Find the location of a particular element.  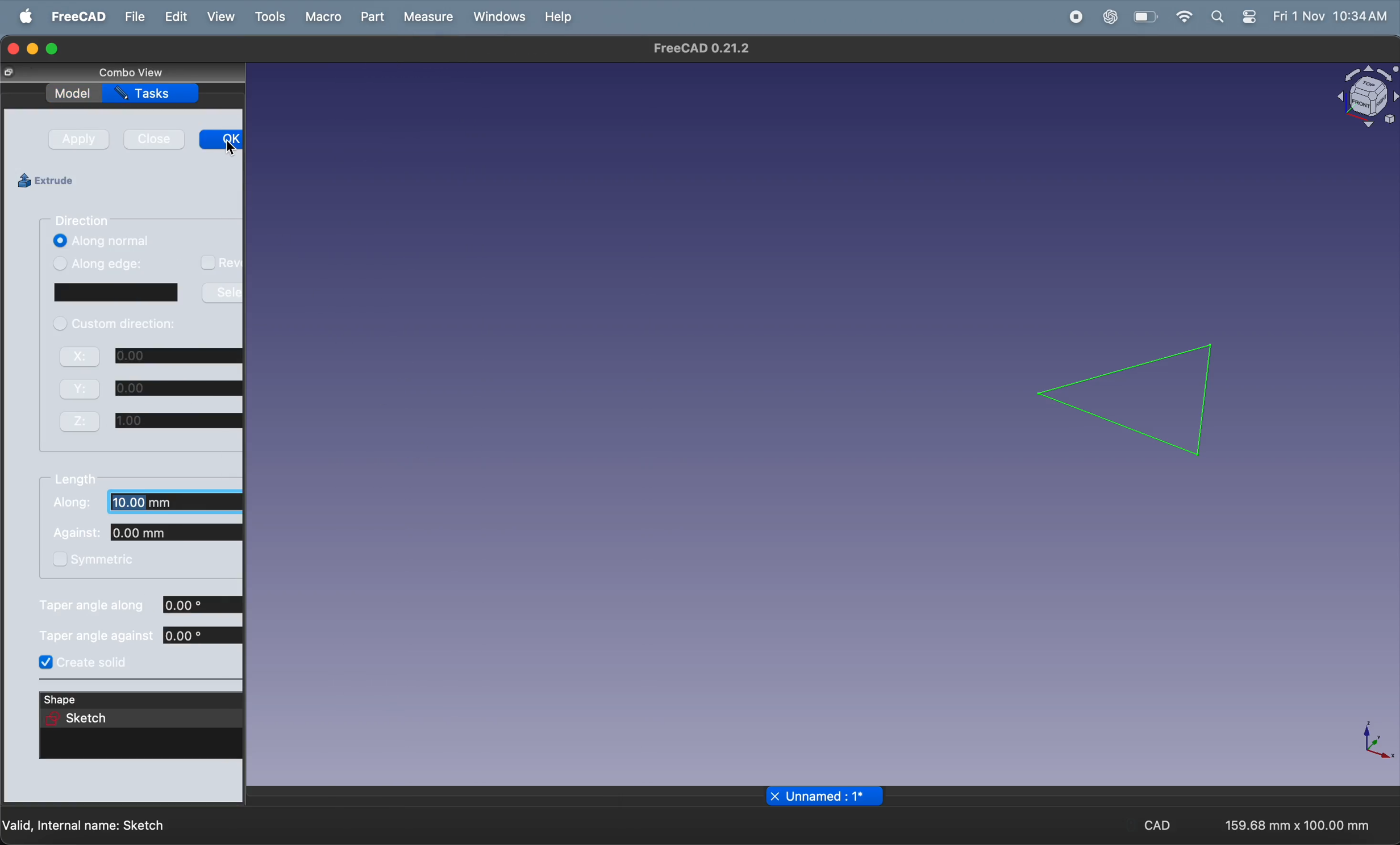

FreeCad 0.21.2 is located at coordinates (704, 49).